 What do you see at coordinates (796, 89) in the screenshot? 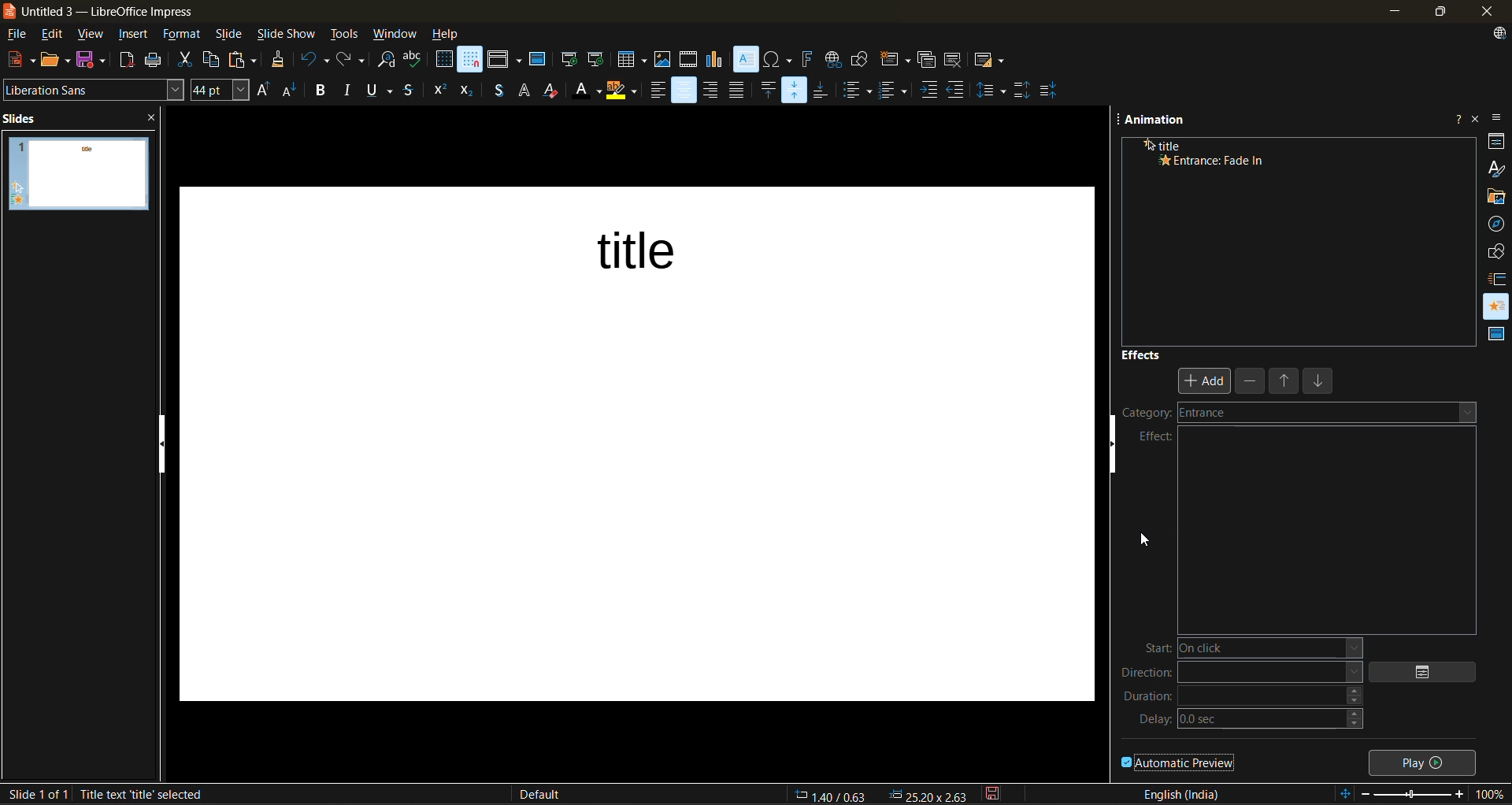
I see `center vertically` at bounding box center [796, 89].